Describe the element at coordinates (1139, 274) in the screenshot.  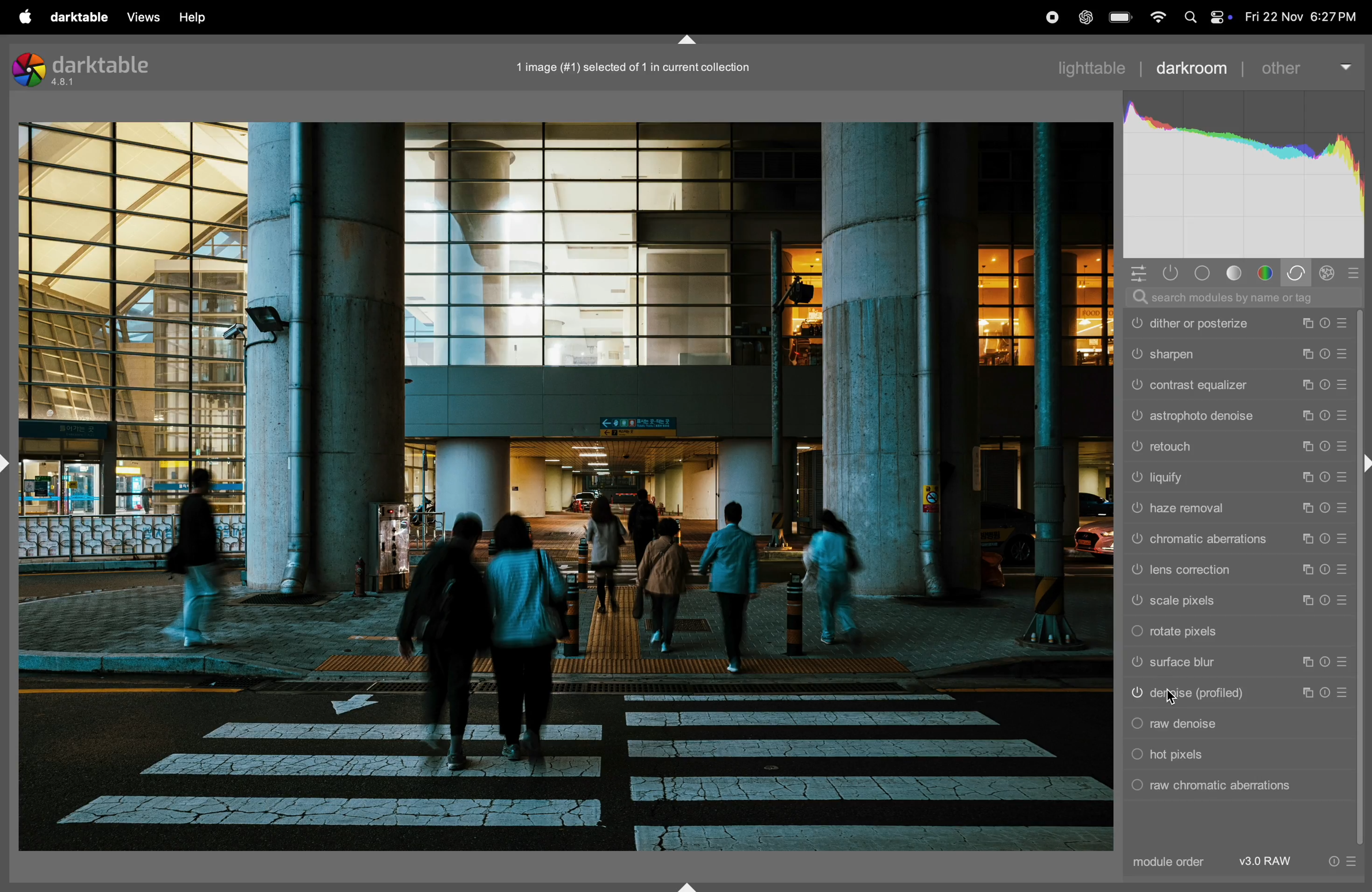
I see `quick acess panel` at that location.